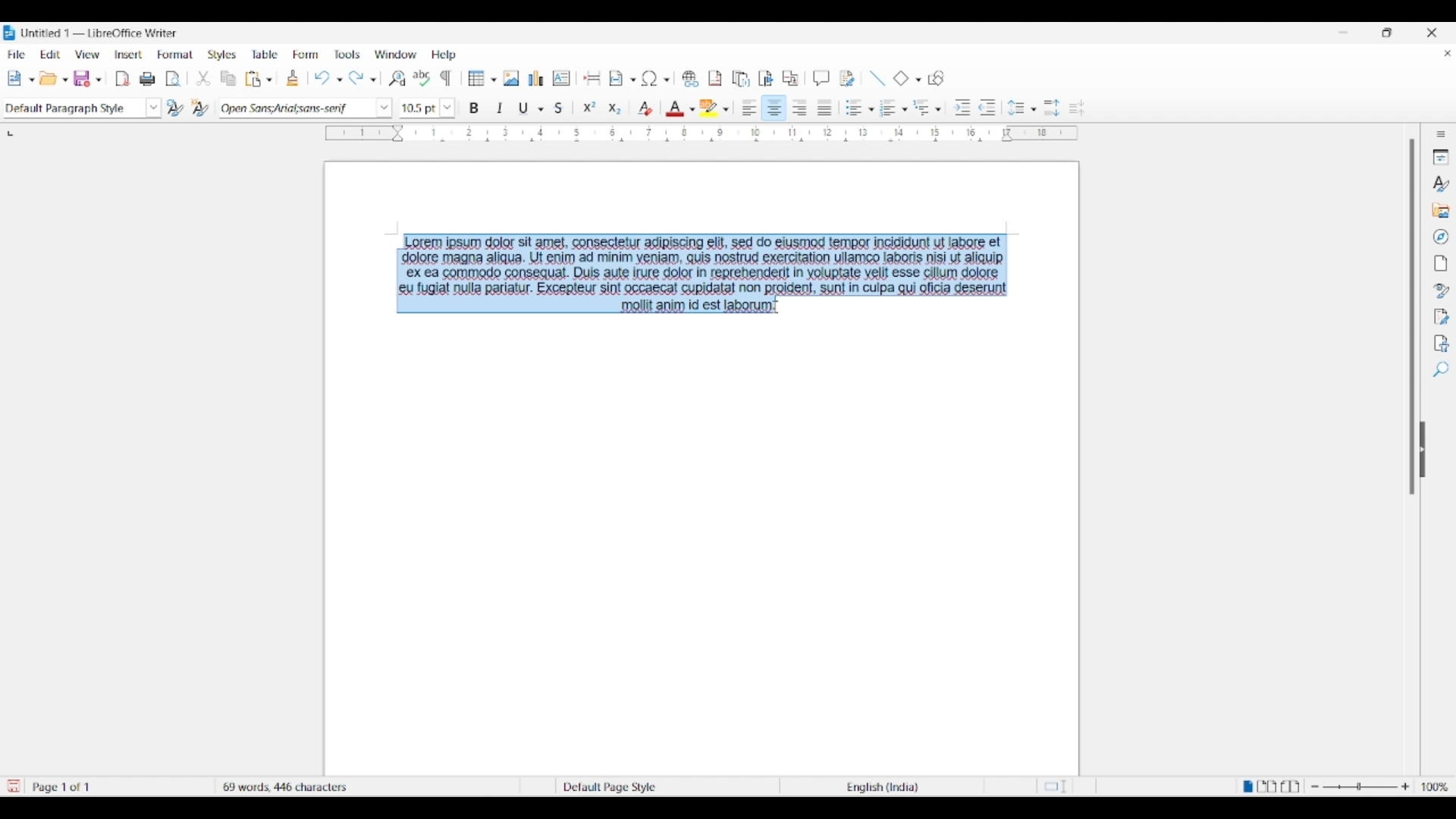 The height and width of the screenshot is (819, 1456). I want to click on Insert cross reference, so click(790, 77).